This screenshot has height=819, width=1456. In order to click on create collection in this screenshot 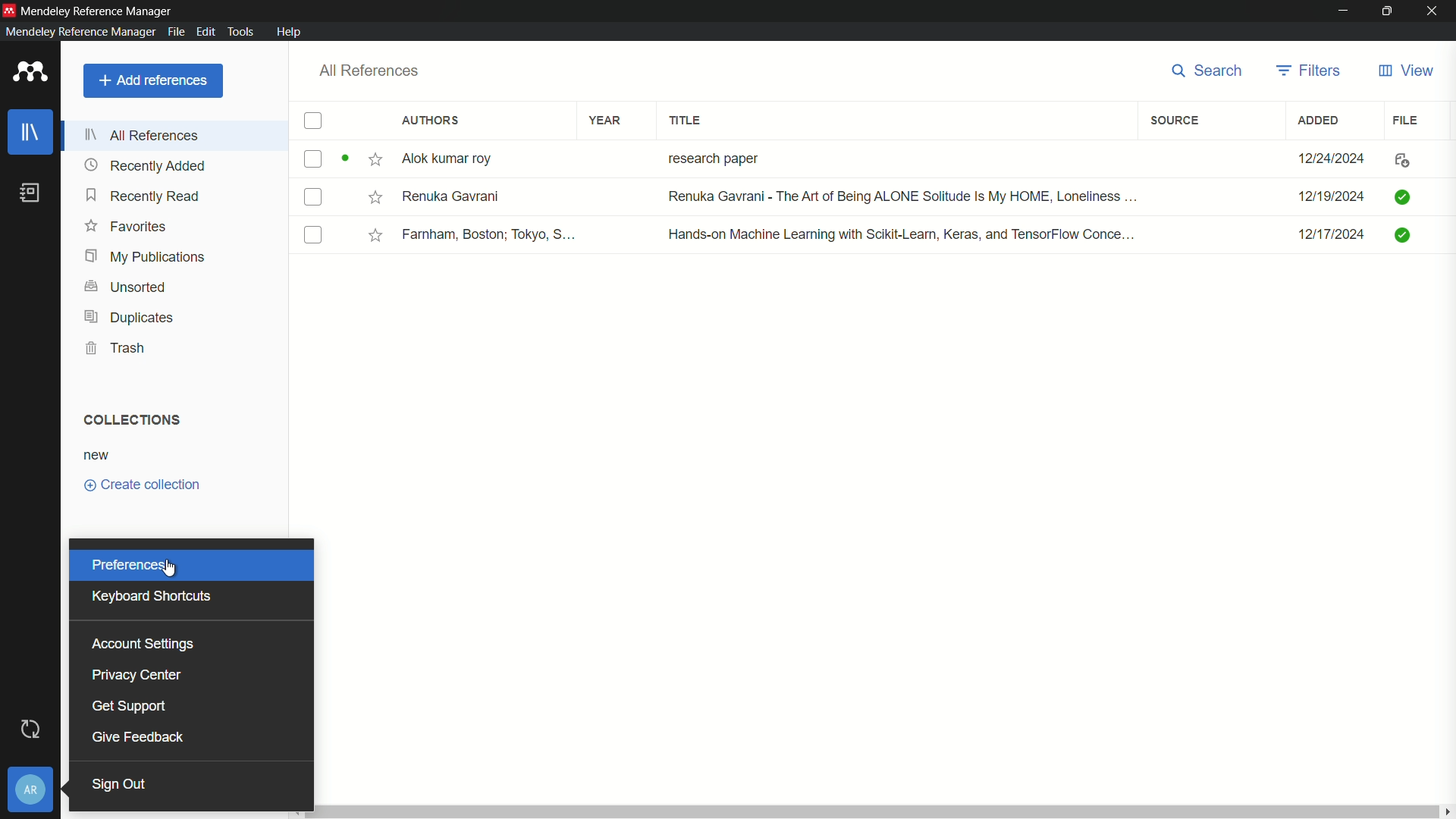, I will do `click(142, 485)`.